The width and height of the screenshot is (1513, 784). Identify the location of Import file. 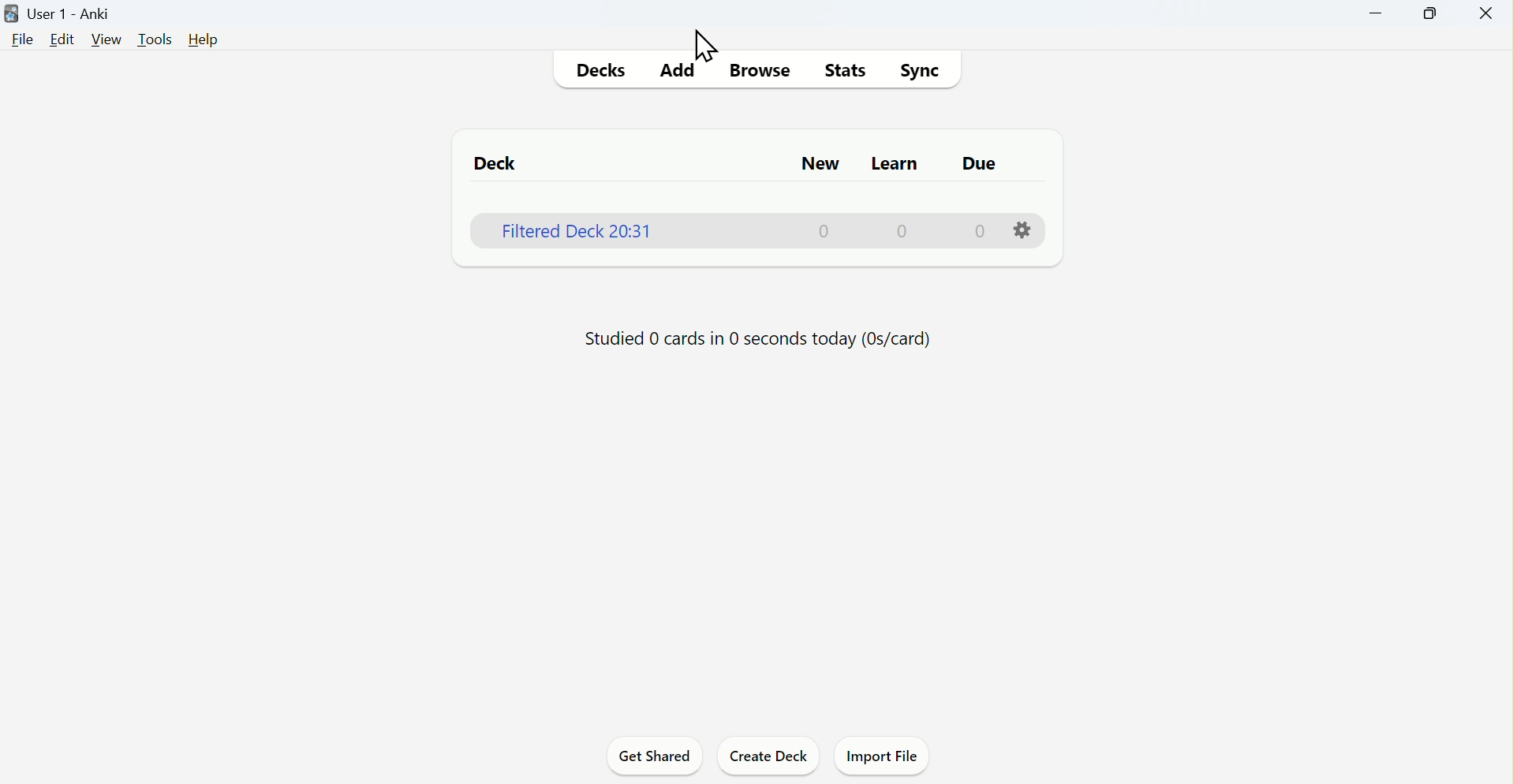
(884, 756).